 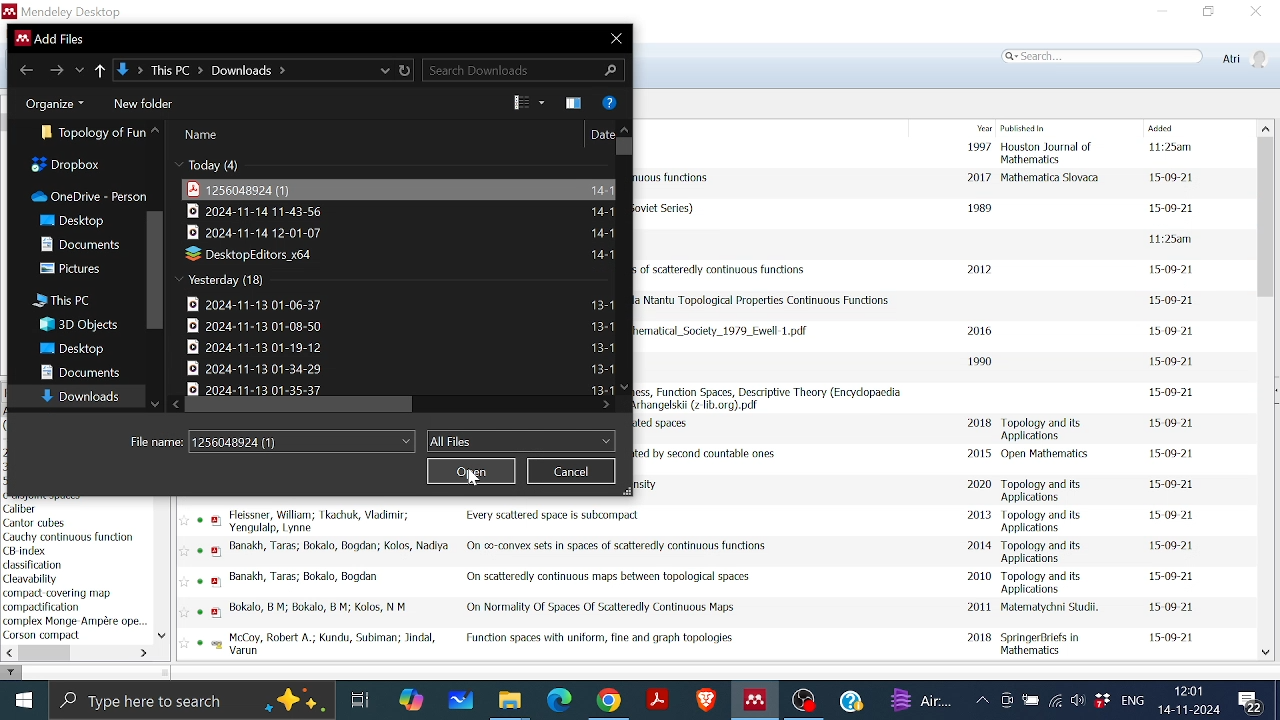 What do you see at coordinates (1173, 177) in the screenshot?
I see `date` at bounding box center [1173, 177].